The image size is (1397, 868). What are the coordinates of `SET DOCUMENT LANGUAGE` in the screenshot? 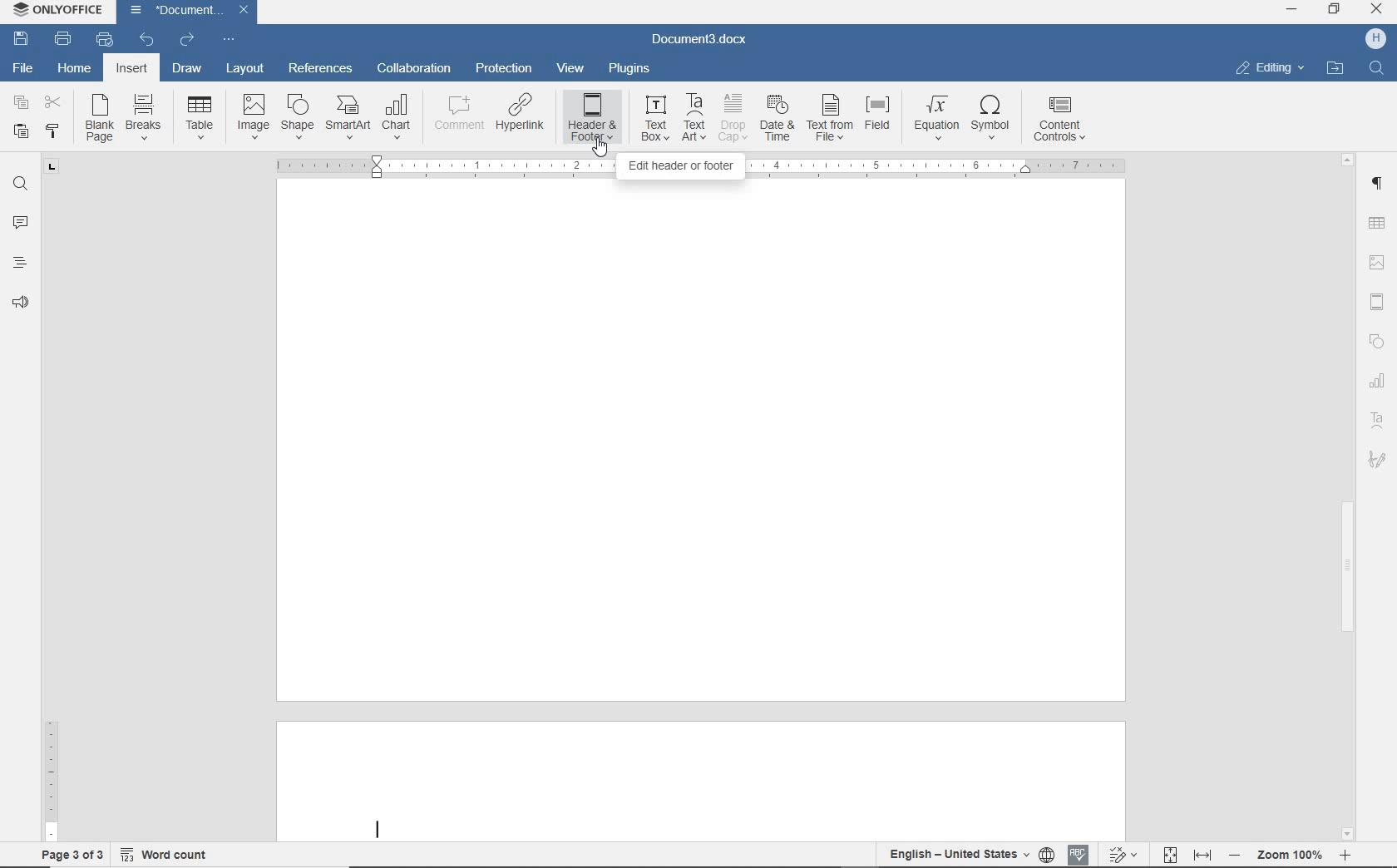 It's located at (1048, 855).